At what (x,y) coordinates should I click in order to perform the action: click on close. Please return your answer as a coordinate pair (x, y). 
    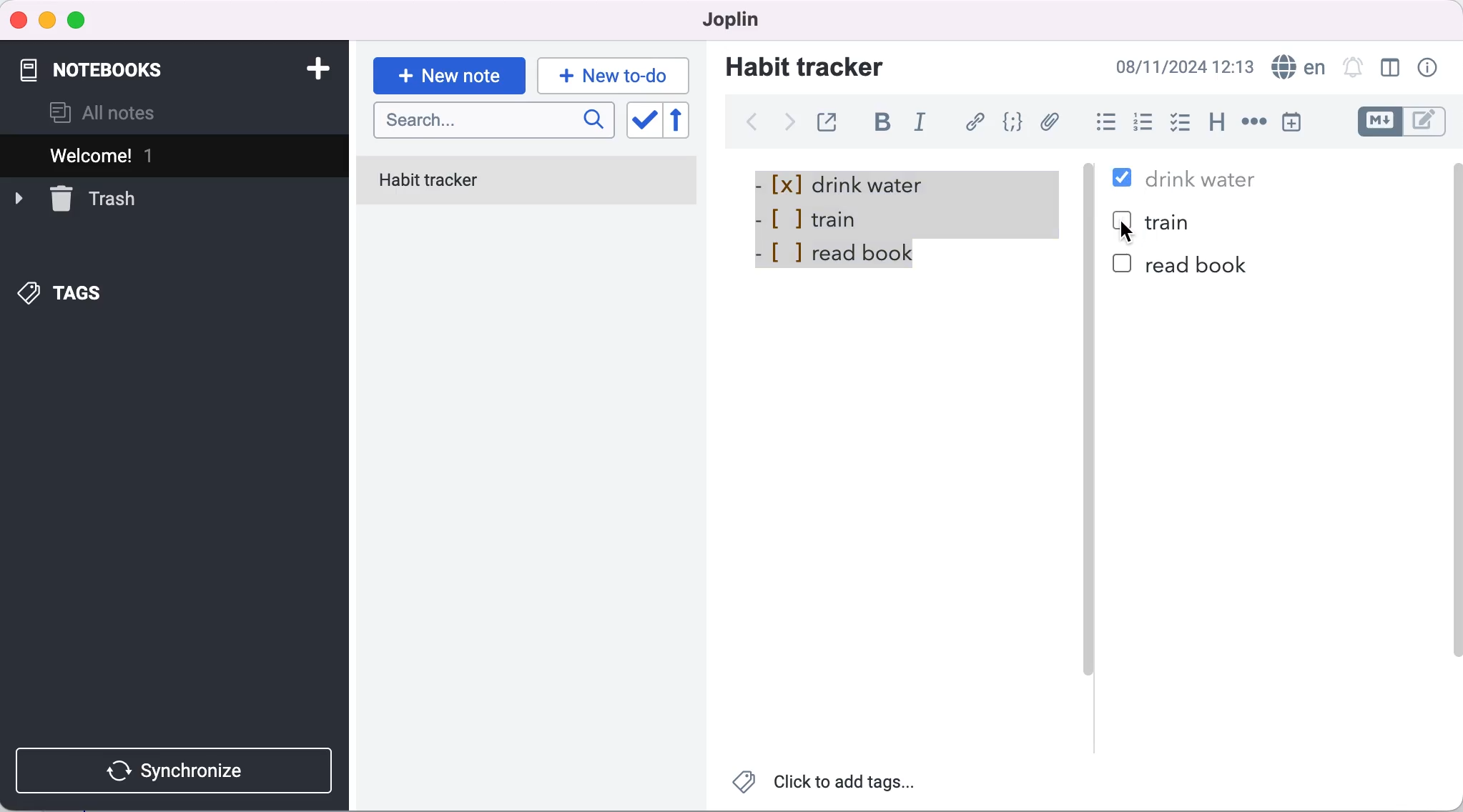
    Looking at the image, I should click on (19, 19).